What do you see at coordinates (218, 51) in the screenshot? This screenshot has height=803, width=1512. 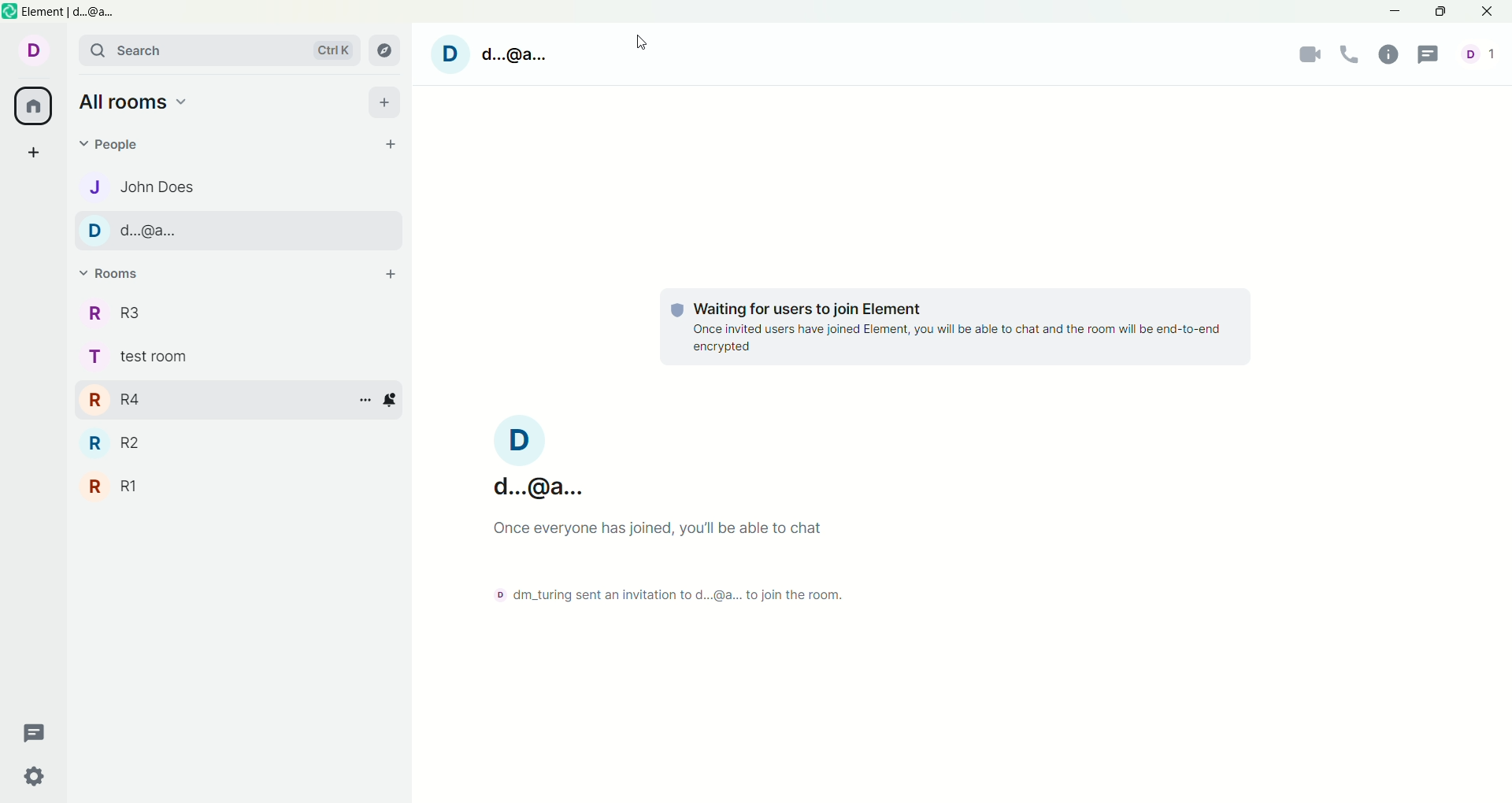 I see `search` at bounding box center [218, 51].